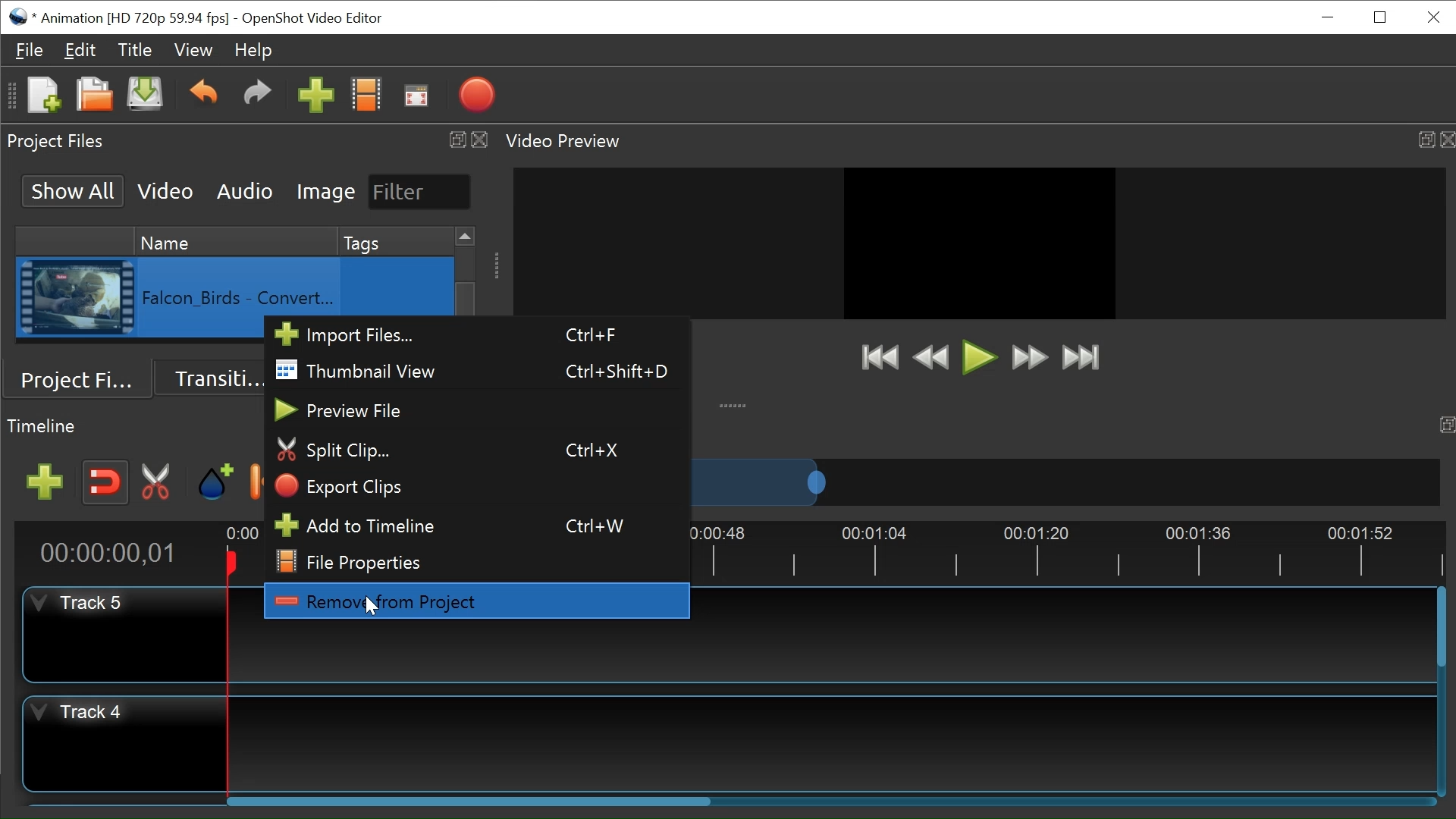 This screenshot has height=819, width=1456. What do you see at coordinates (80, 50) in the screenshot?
I see `Edit` at bounding box center [80, 50].